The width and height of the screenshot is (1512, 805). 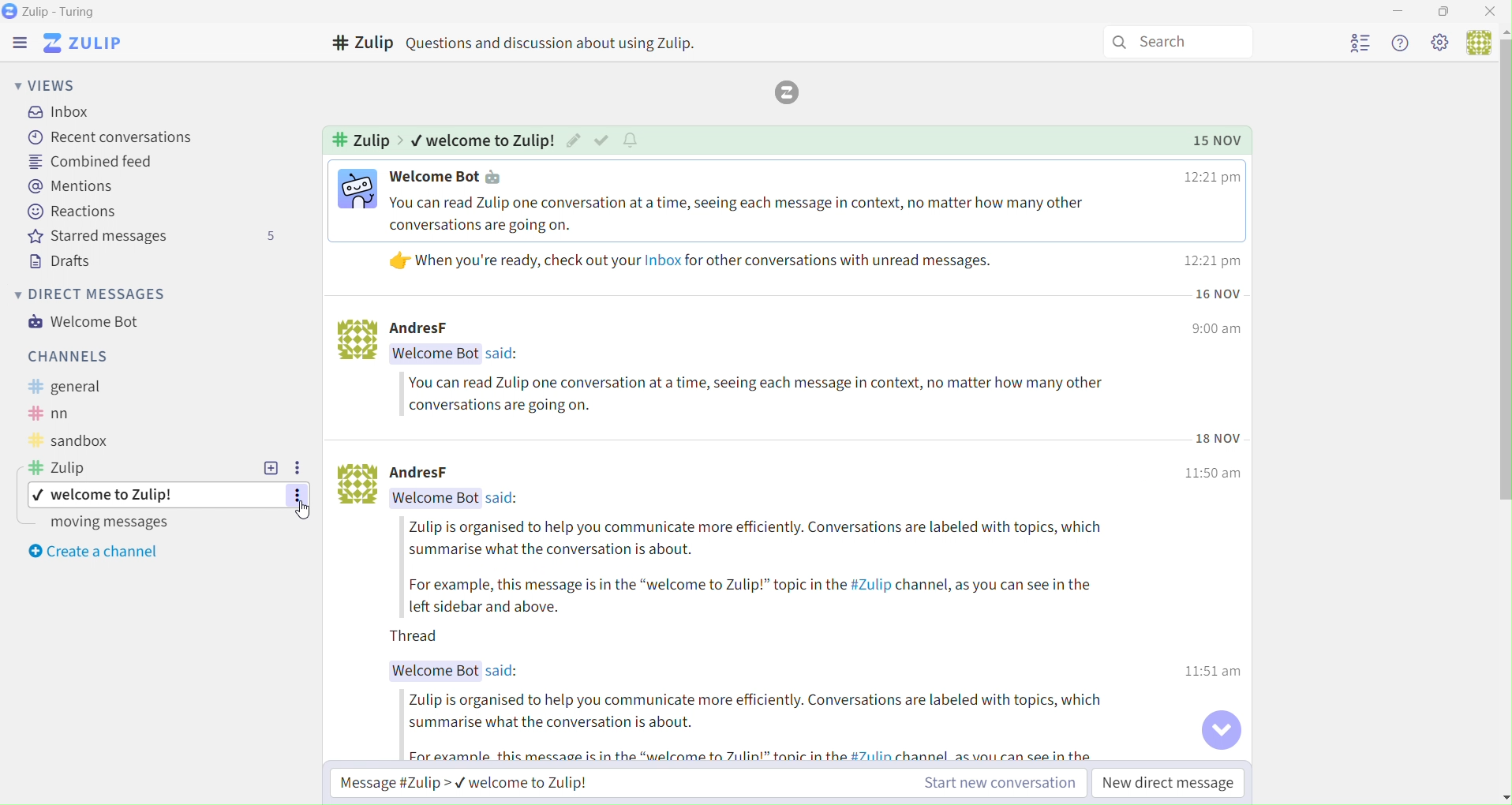 I want to click on Channels, so click(x=364, y=43).